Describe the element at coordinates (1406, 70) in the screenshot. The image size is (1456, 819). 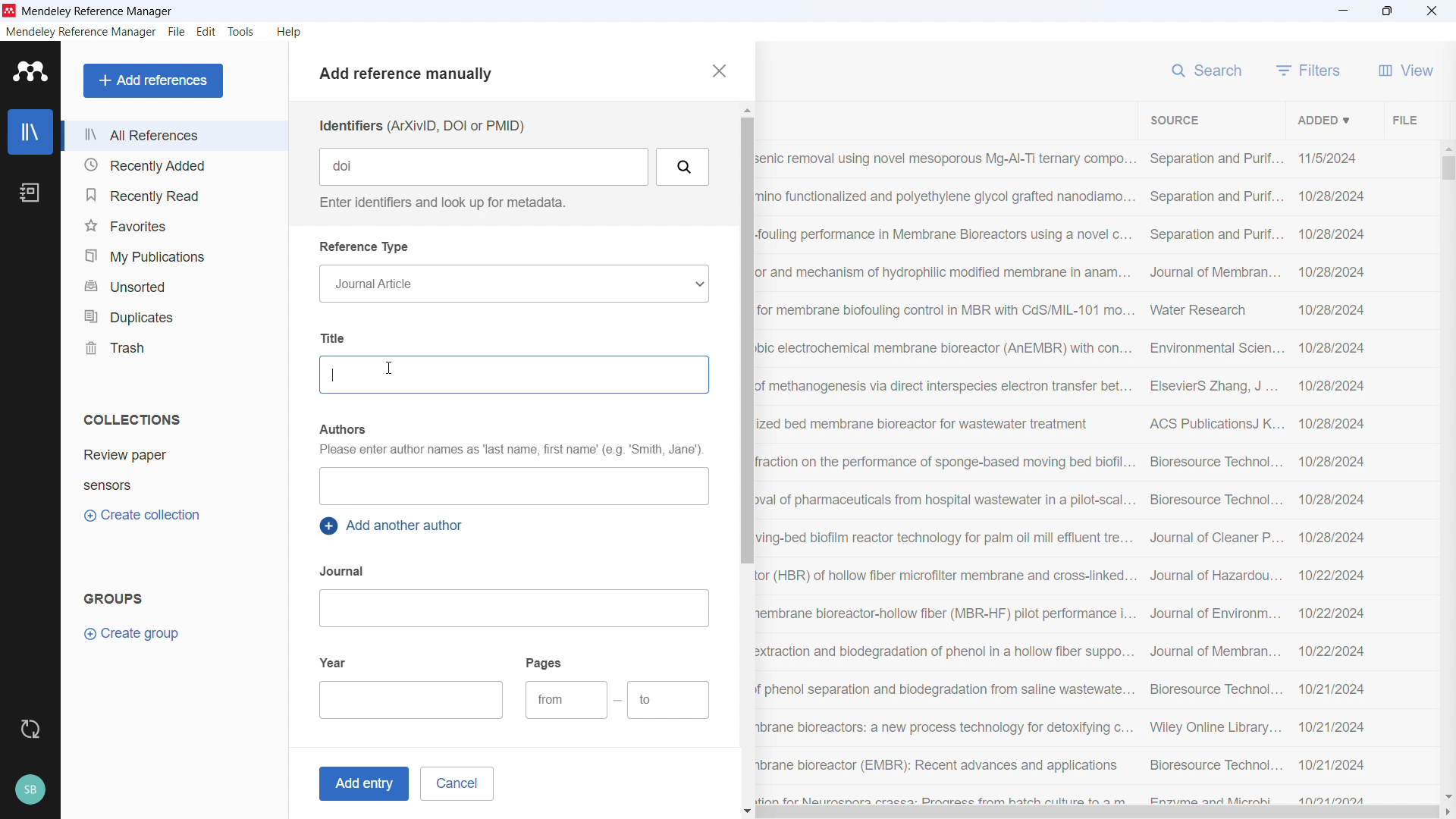
I see `View ` at that location.